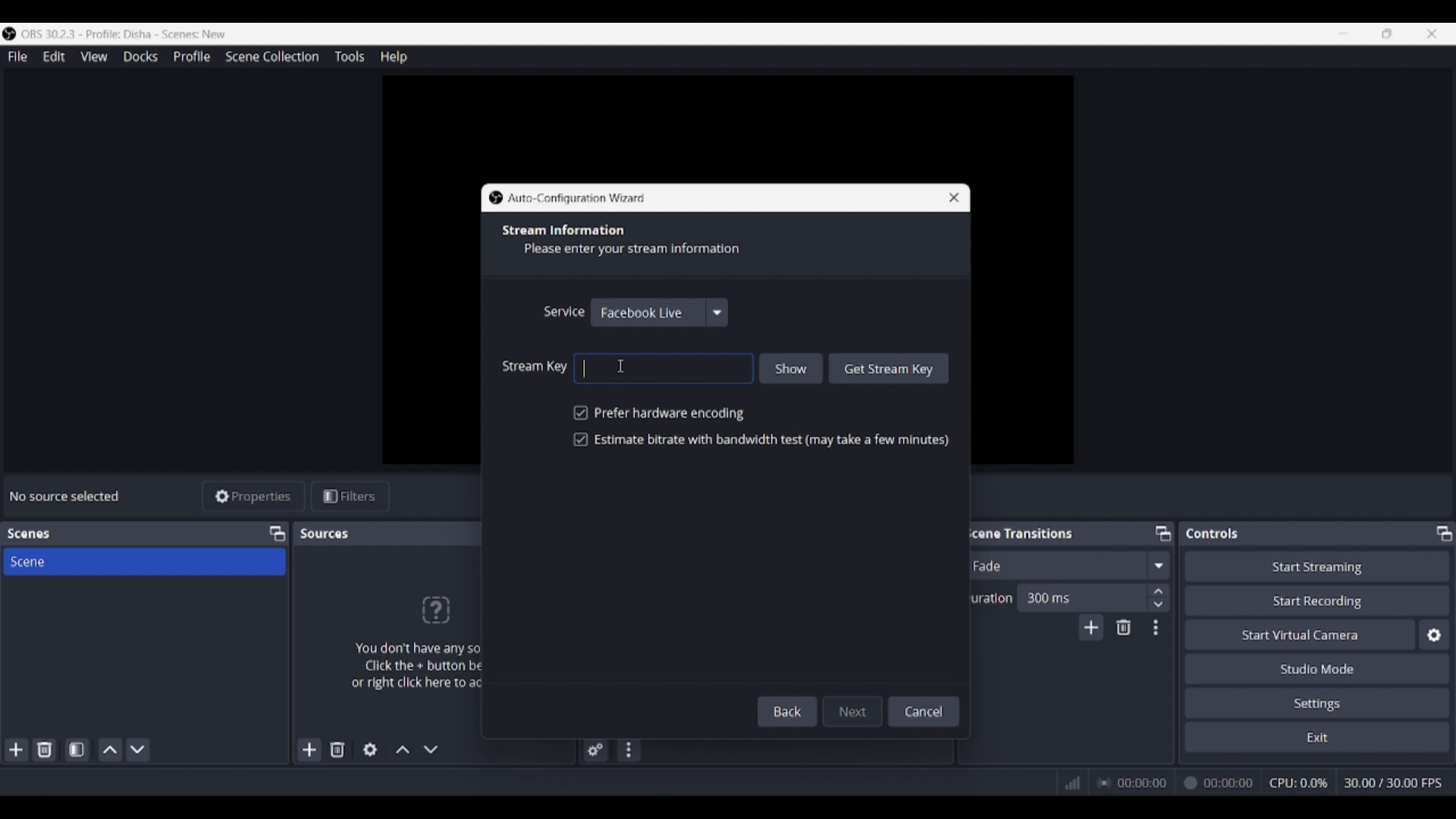 The height and width of the screenshot is (819, 1456). What do you see at coordinates (349, 56) in the screenshot?
I see `Tools menu` at bounding box center [349, 56].